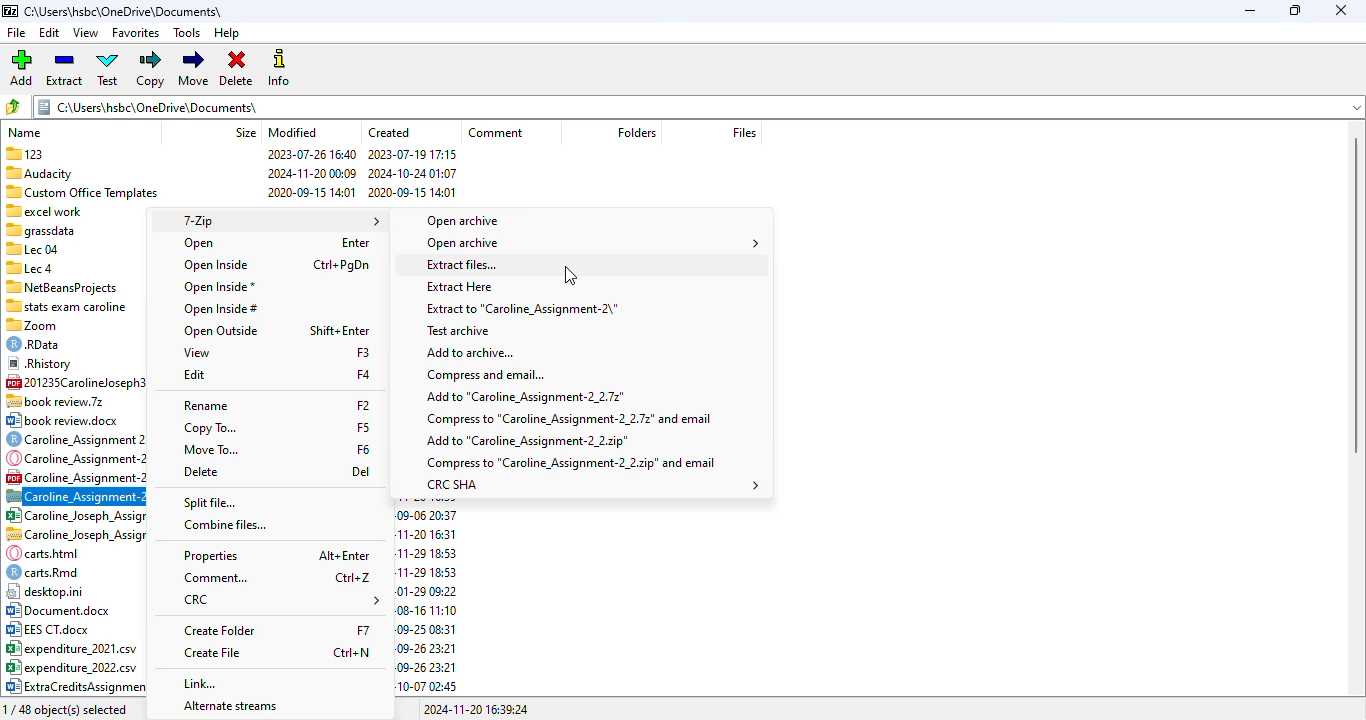 Image resolution: width=1366 pixels, height=720 pixels. What do you see at coordinates (364, 351) in the screenshot?
I see `shortcut for view` at bounding box center [364, 351].